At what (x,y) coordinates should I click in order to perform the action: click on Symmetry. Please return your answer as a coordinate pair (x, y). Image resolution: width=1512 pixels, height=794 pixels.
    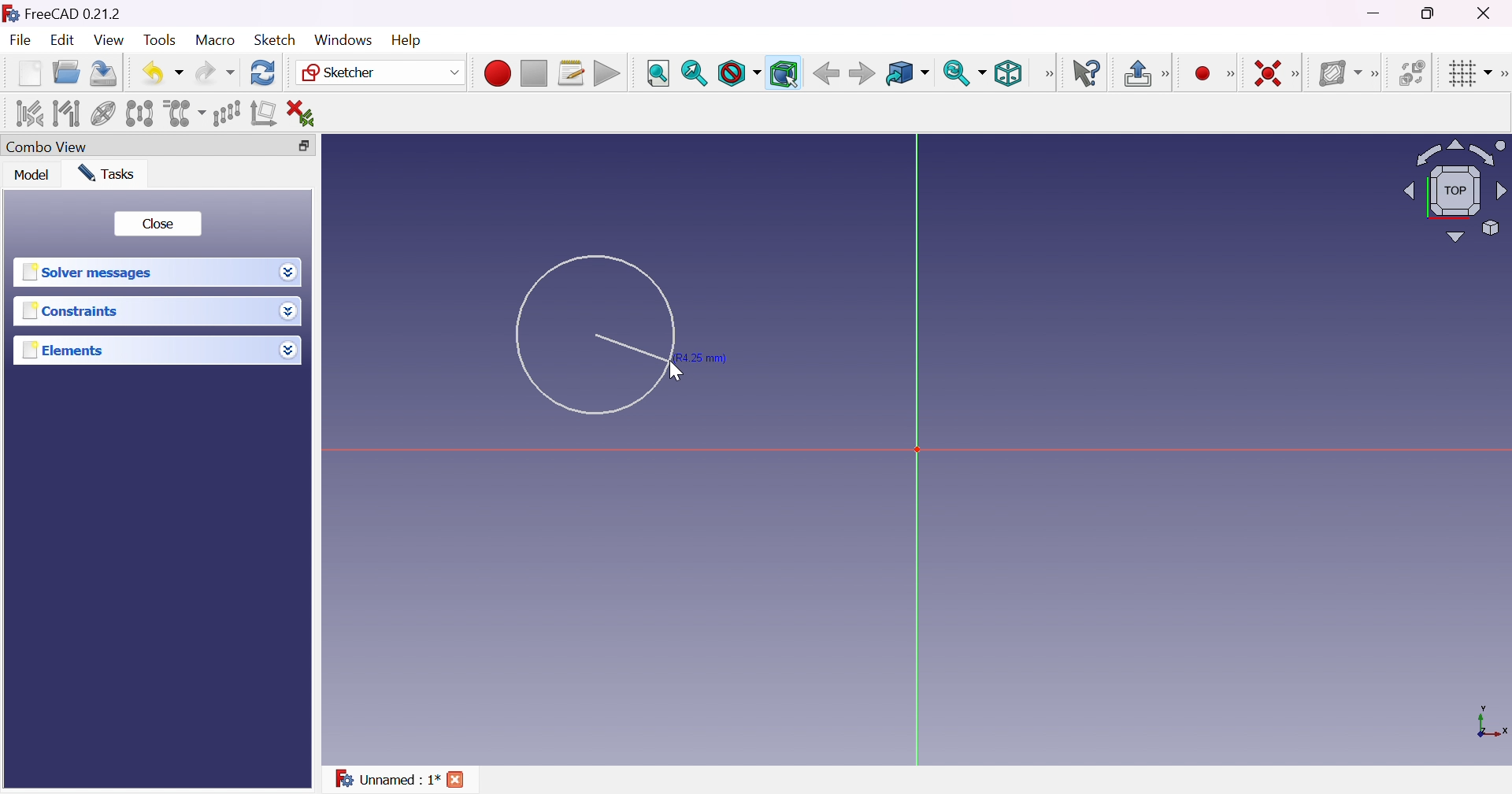
    Looking at the image, I should click on (139, 114).